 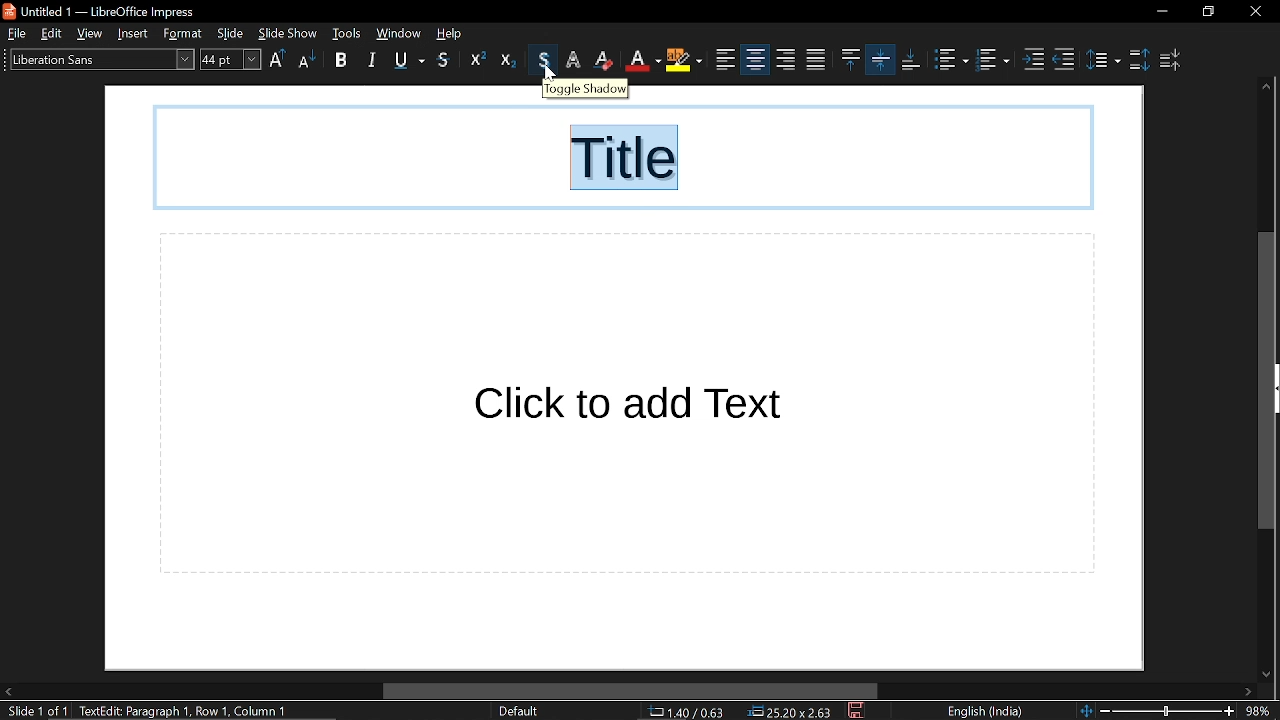 What do you see at coordinates (34, 712) in the screenshot?
I see `slide 1 of 1` at bounding box center [34, 712].